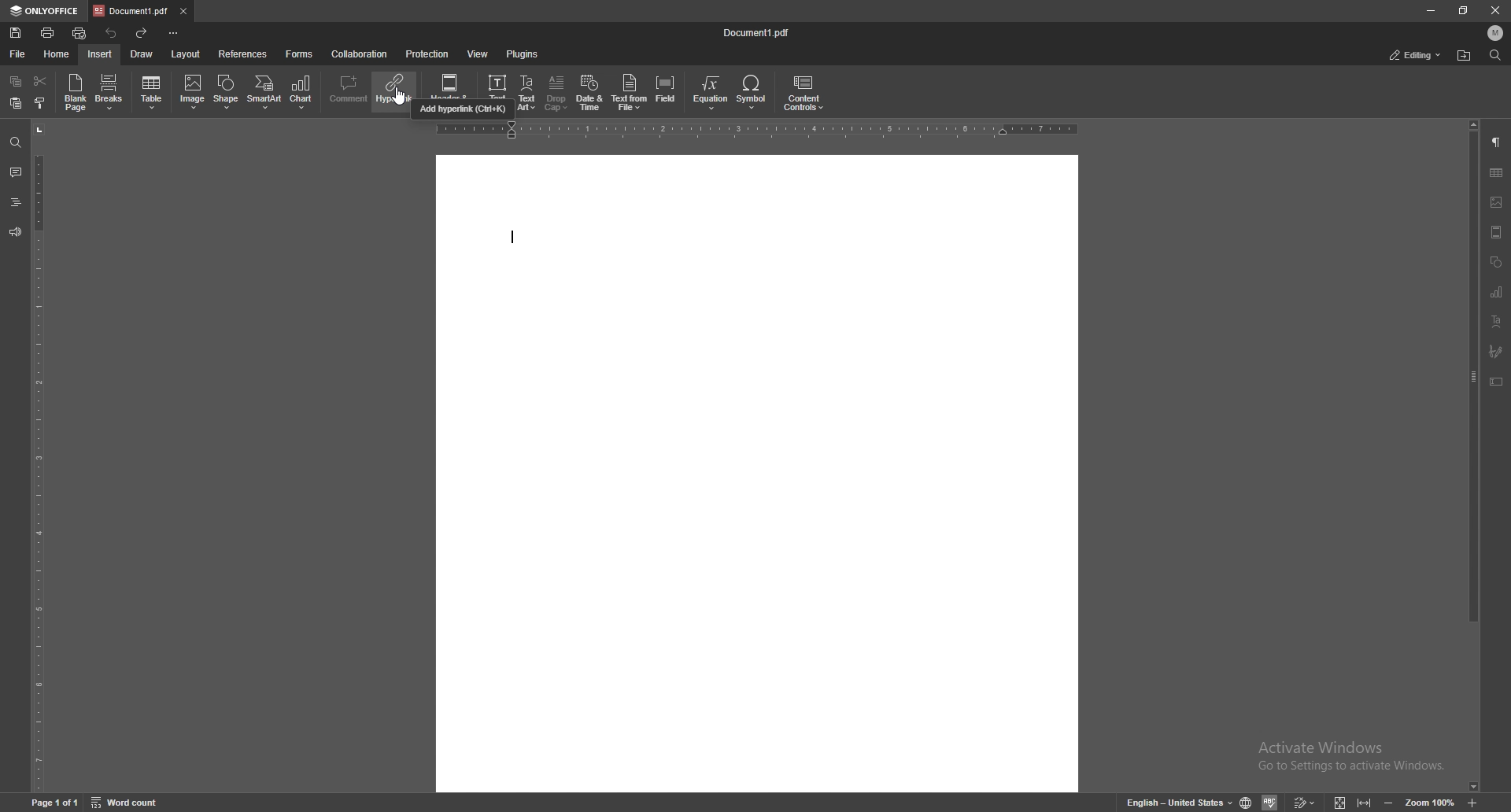 This screenshot has height=812, width=1511. Describe the element at coordinates (526, 93) in the screenshot. I see `text art` at that location.